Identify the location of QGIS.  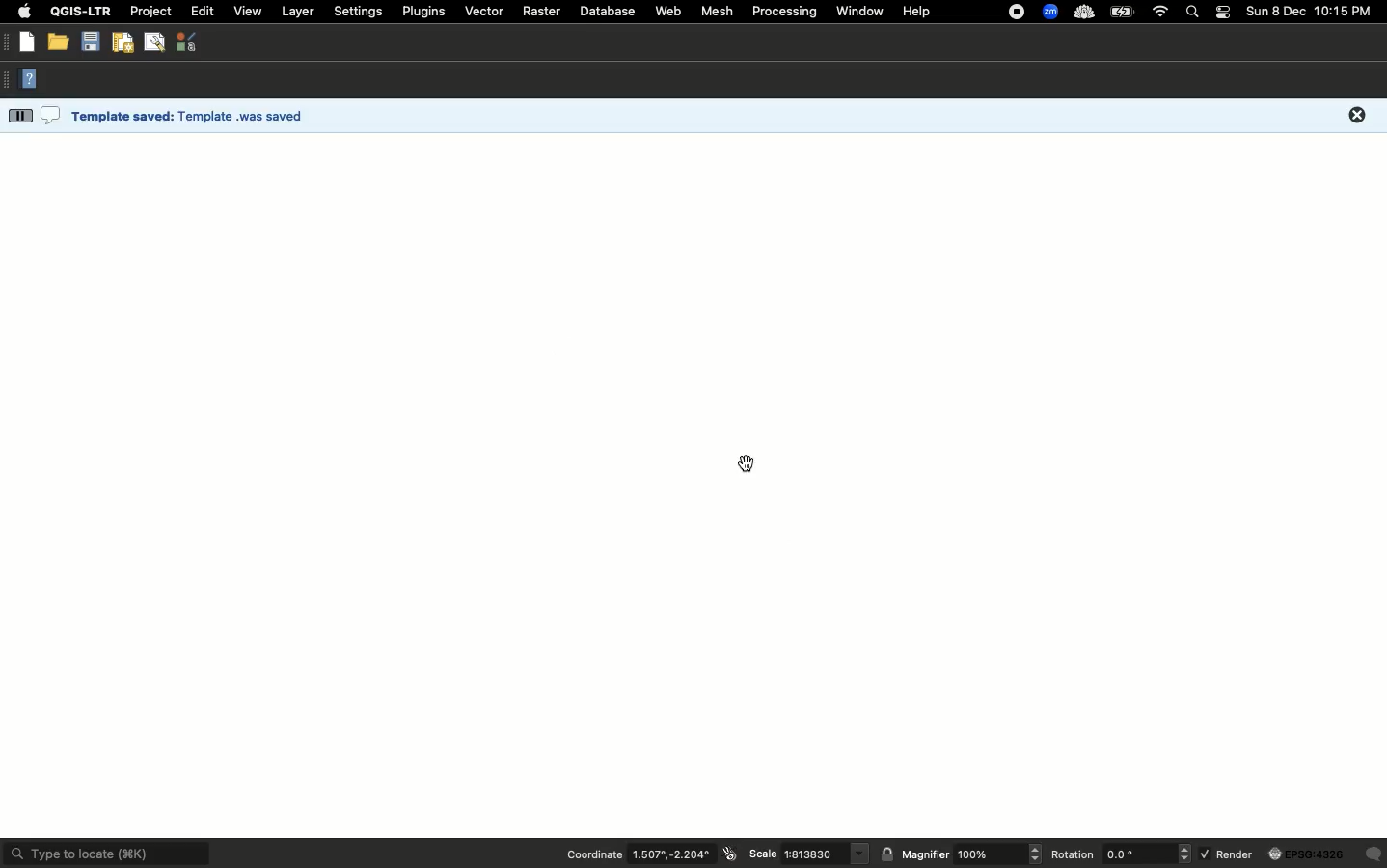
(80, 10).